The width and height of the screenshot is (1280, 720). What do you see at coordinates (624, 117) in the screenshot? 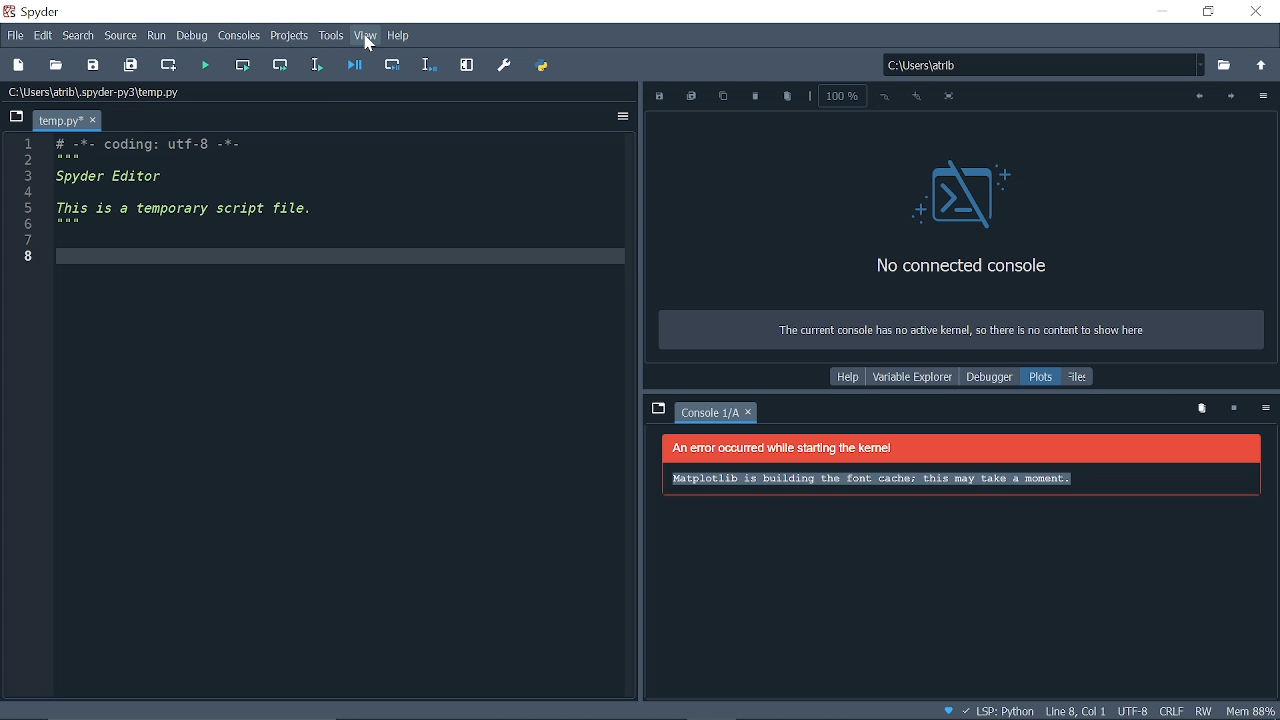
I see `Options` at bounding box center [624, 117].